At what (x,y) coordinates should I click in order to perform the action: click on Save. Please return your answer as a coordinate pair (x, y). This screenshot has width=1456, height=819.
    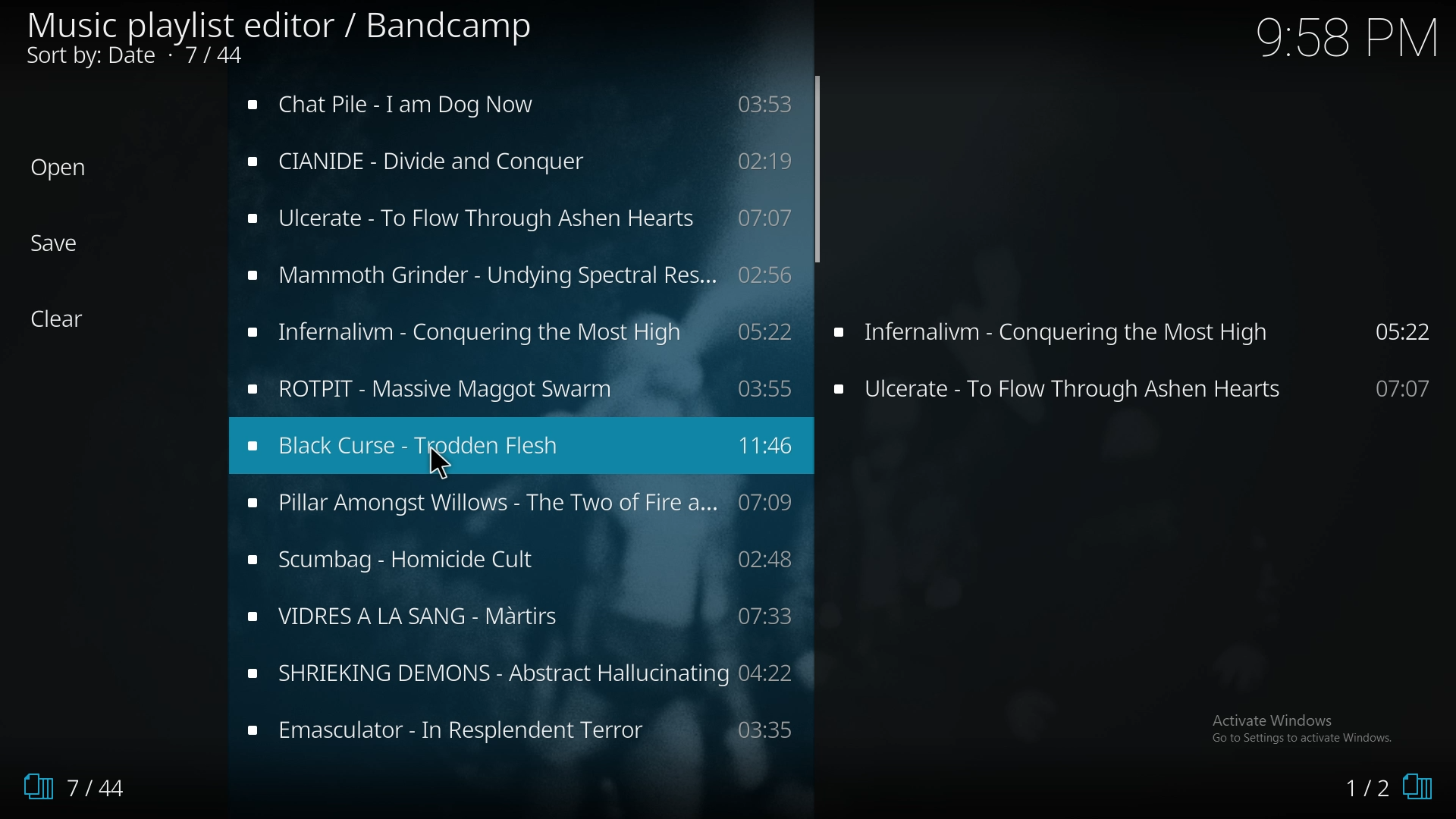
    Looking at the image, I should click on (57, 243).